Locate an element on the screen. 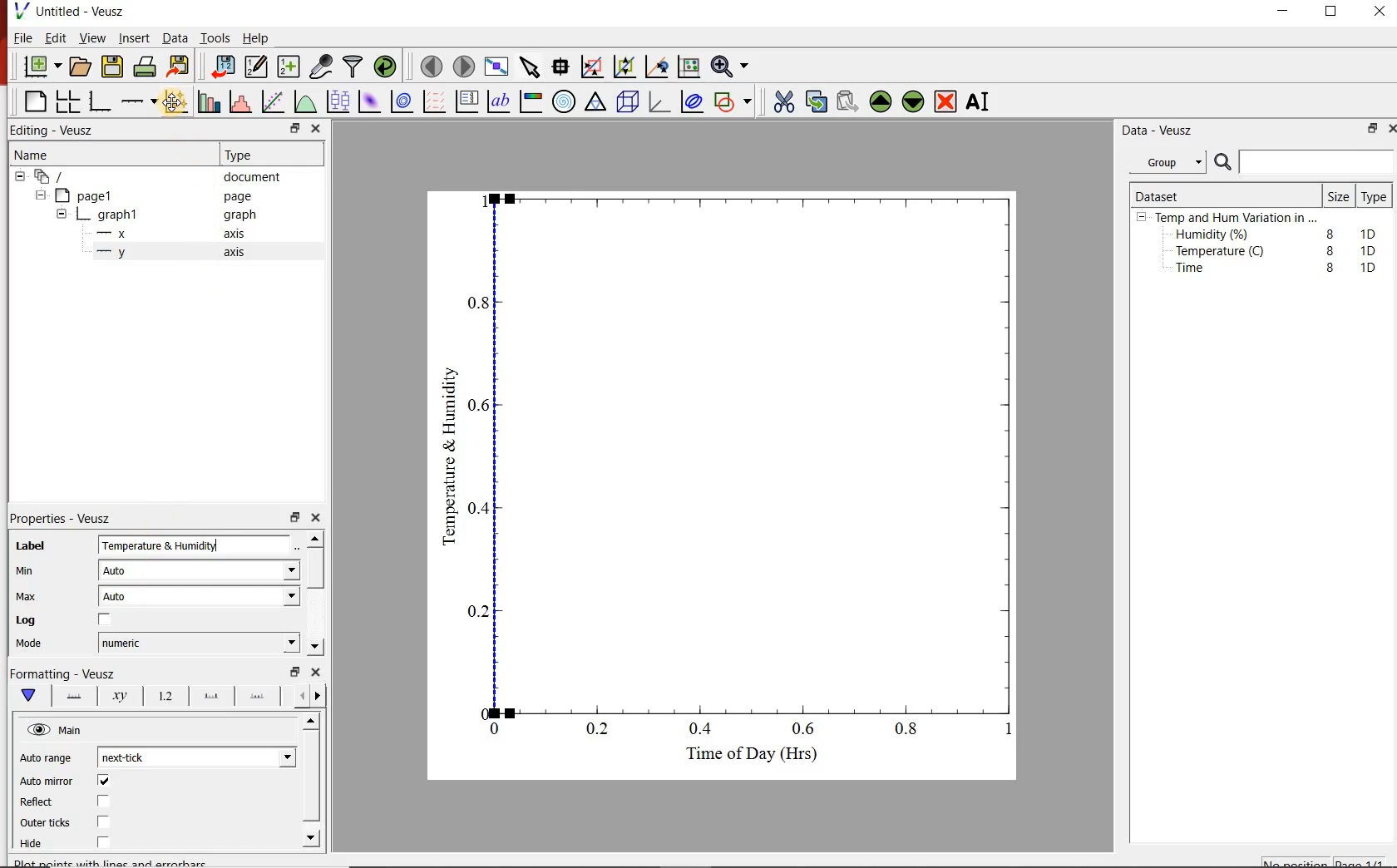 This screenshot has height=868, width=1397. ternary graph is located at coordinates (597, 104).